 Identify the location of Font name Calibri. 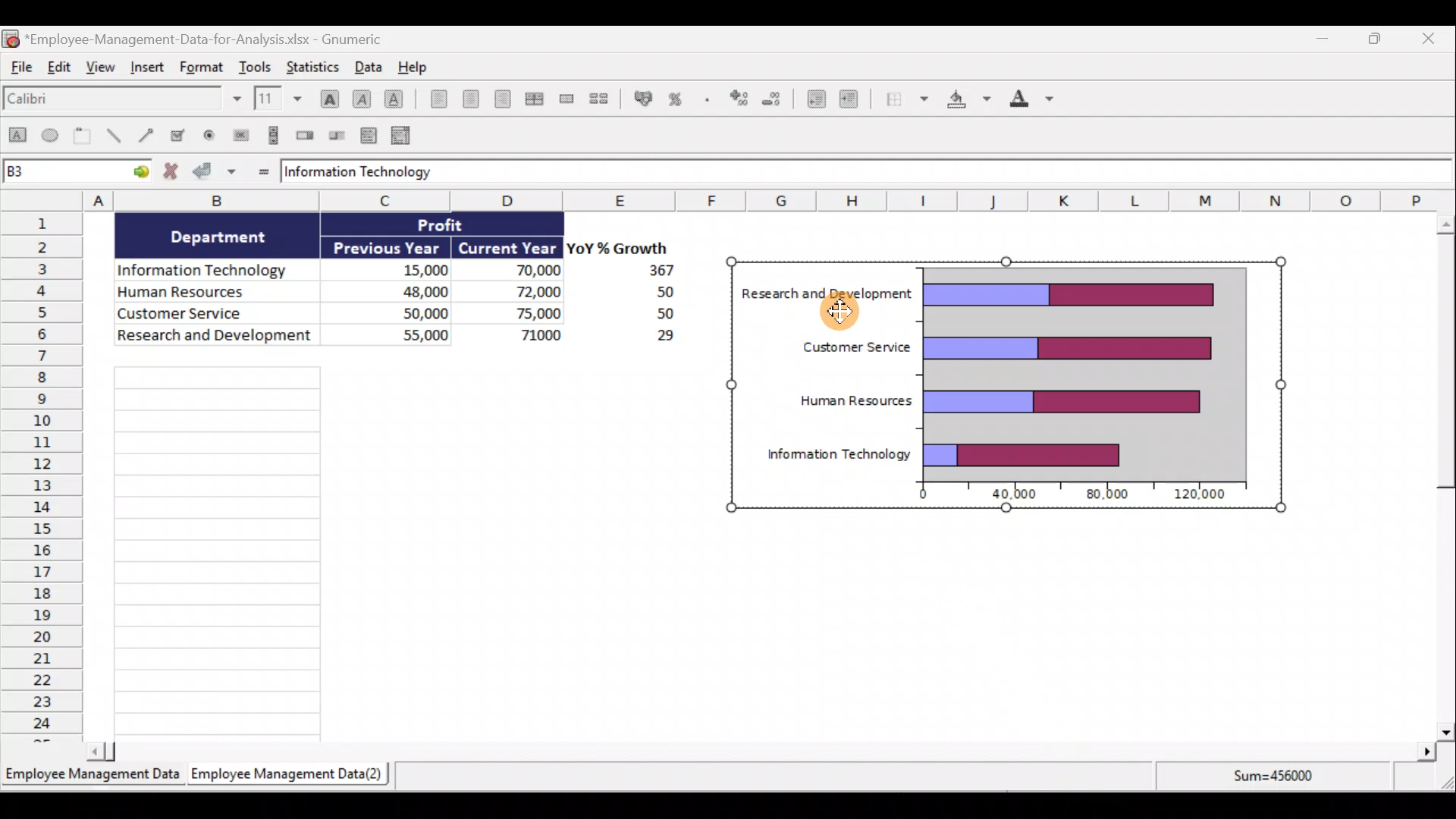
(121, 102).